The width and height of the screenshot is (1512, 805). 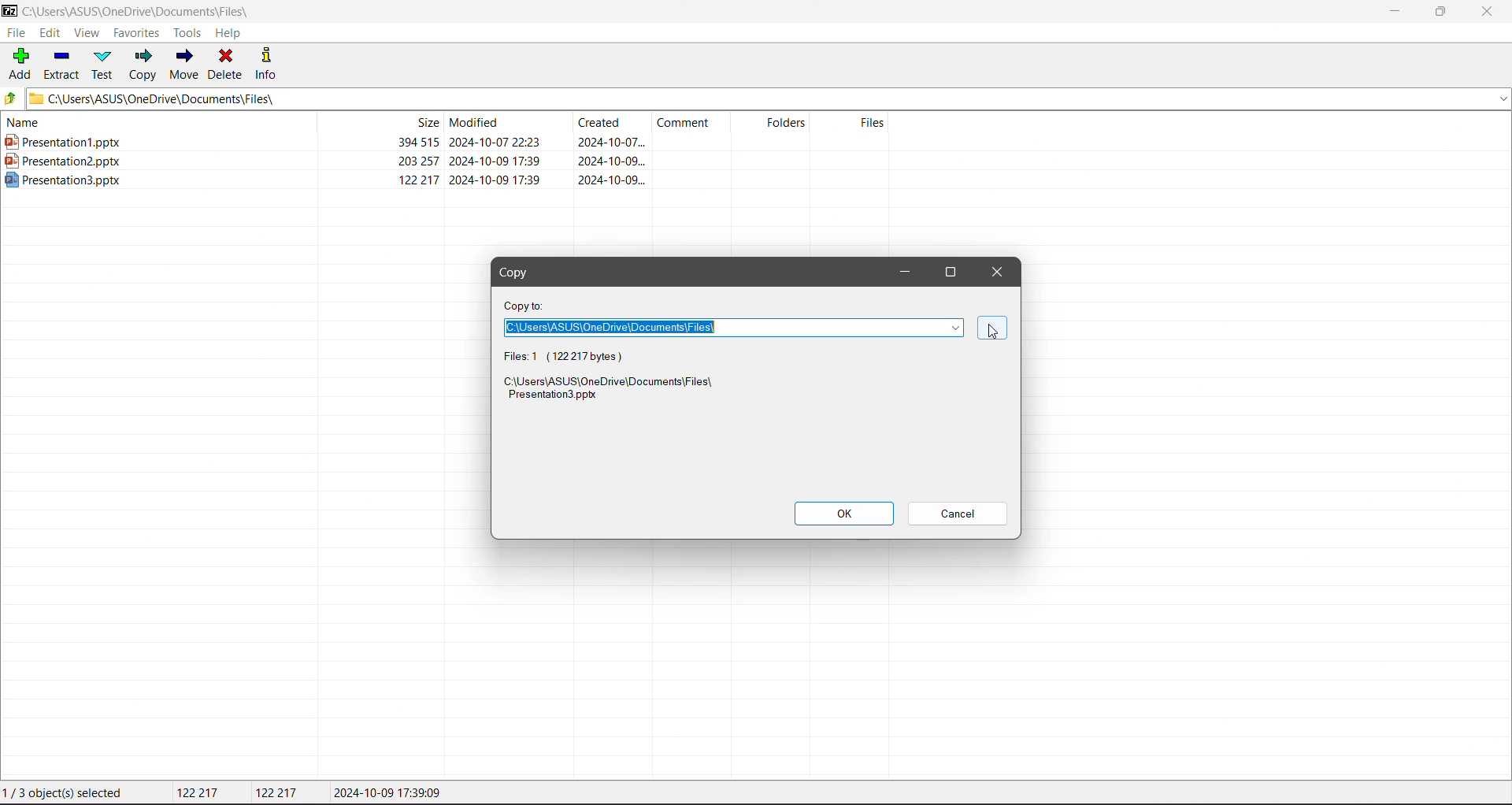 What do you see at coordinates (904, 273) in the screenshot?
I see `Minimize` at bounding box center [904, 273].